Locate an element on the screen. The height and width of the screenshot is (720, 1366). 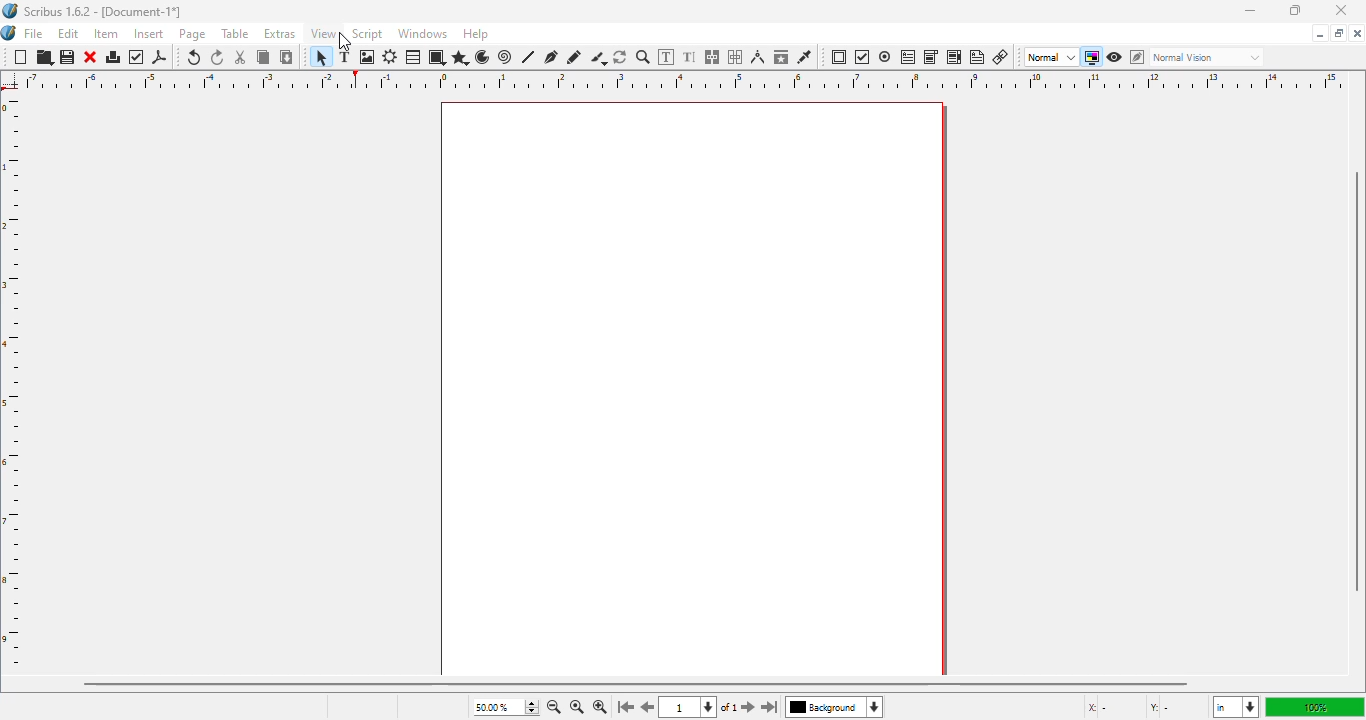
table is located at coordinates (236, 34).